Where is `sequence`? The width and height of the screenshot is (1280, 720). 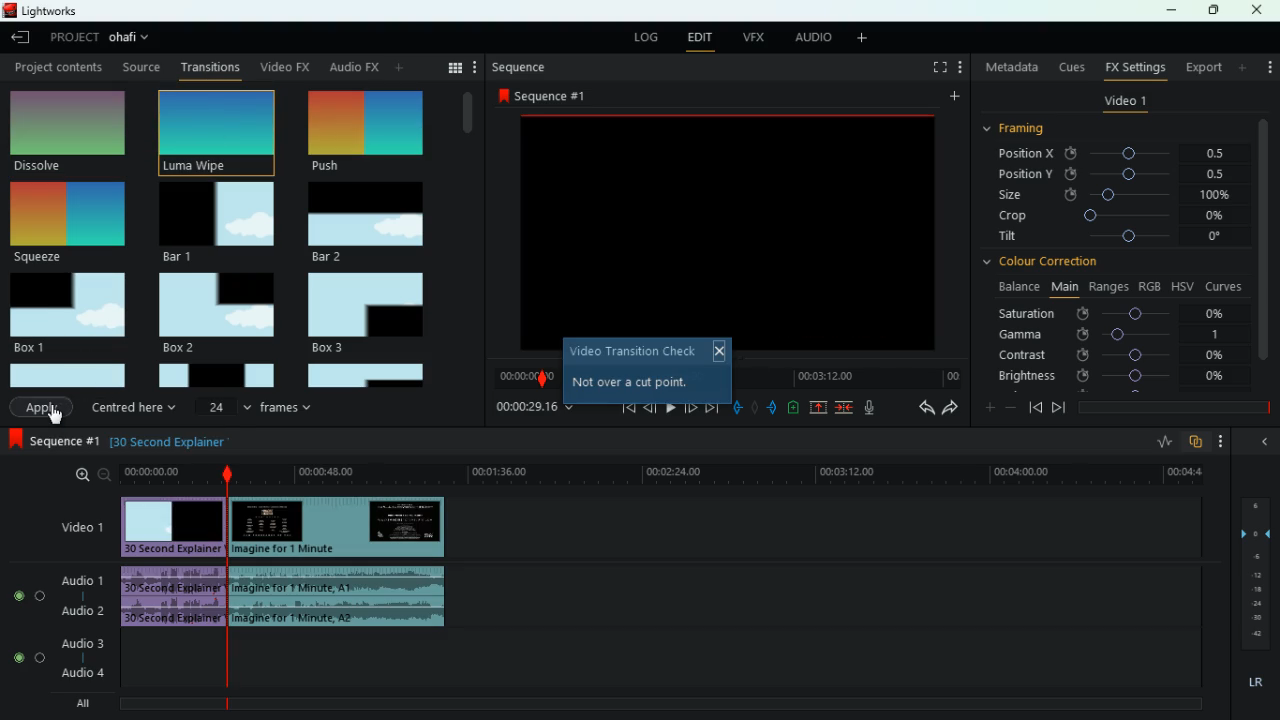 sequence is located at coordinates (55, 442).